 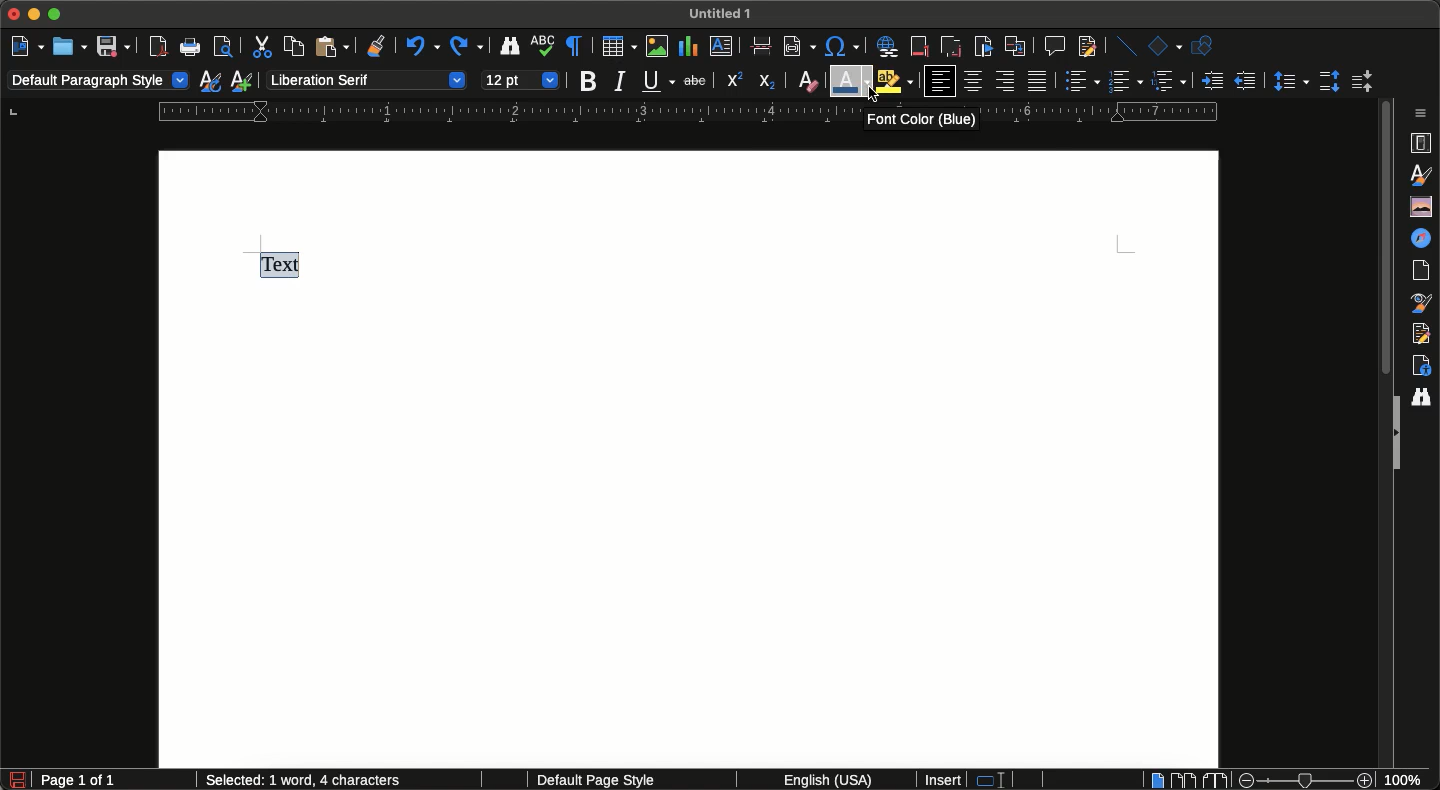 What do you see at coordinates (848, 79) in the screenshot?
I see `Selecting font color` at bounding box center [848, 79].